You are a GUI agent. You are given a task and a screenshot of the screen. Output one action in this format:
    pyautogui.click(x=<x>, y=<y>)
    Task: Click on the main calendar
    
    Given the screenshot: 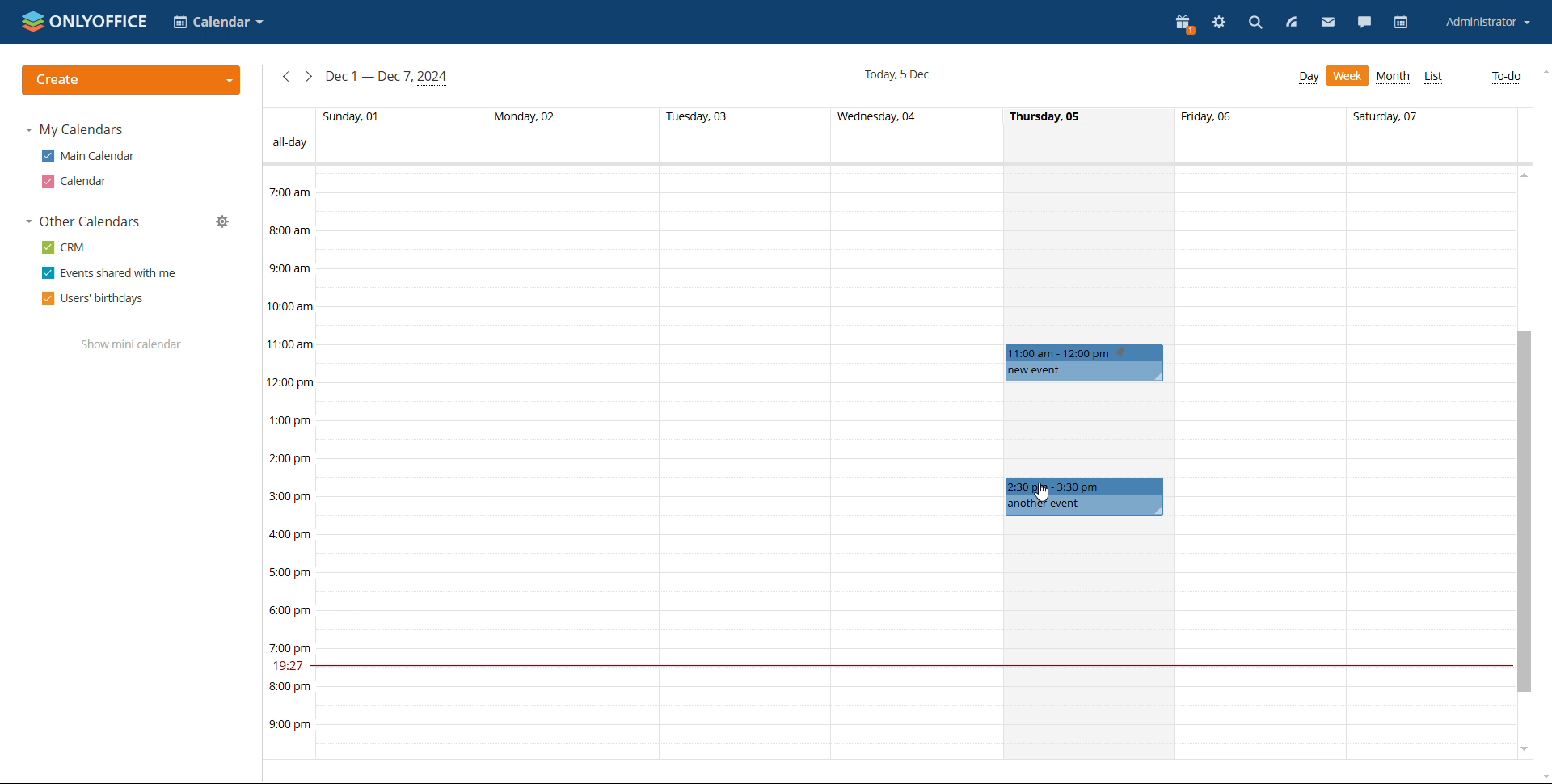 What is the action you would take?
    pyautogui.click(x=88, y=156)
    